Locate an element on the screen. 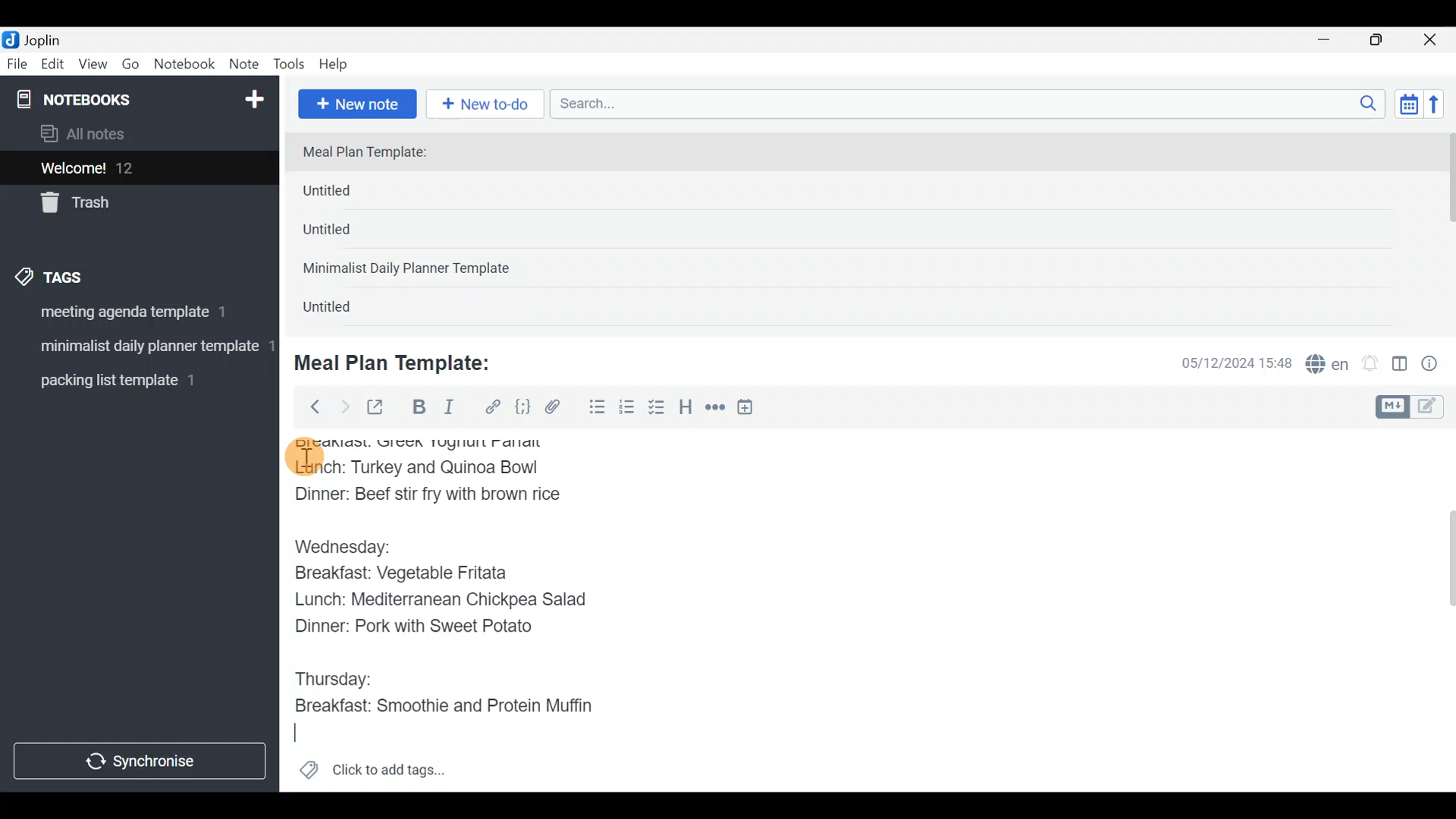 This screenshot has width=1456, height=819. Lunch: Turkey and Quinoa Bowl is located at coordinates (421, 470).